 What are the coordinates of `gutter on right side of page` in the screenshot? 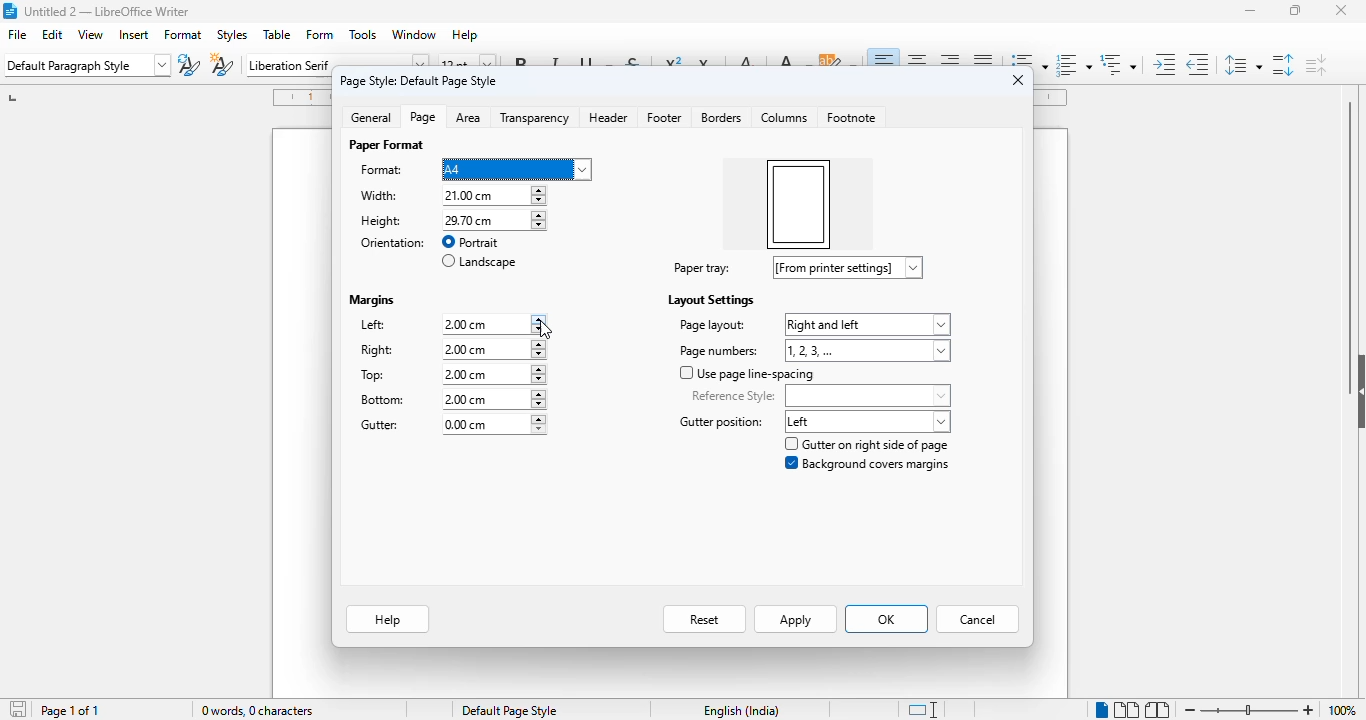 It's located at (868, 444).